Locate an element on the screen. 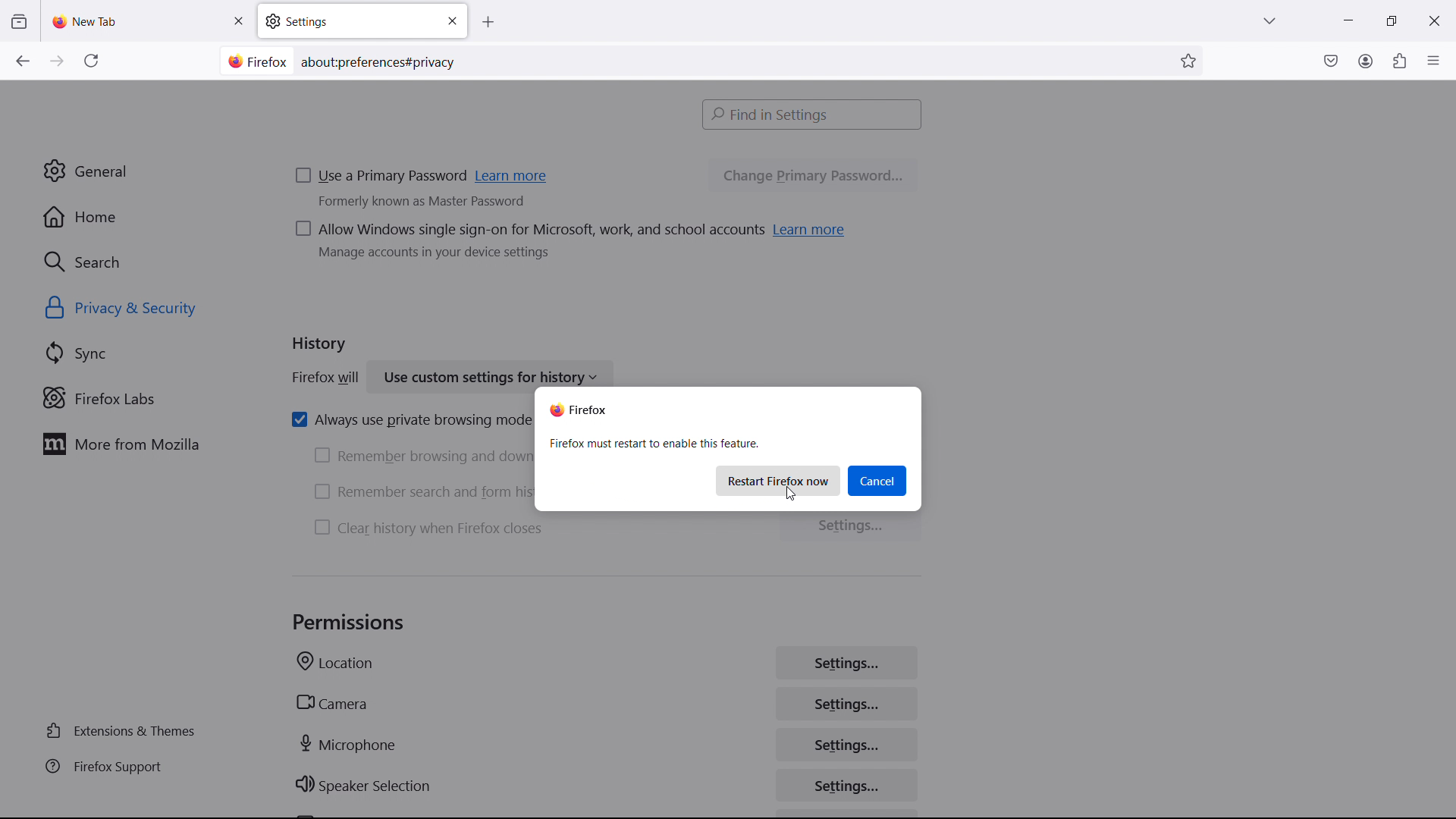  learn more about single sign-in is located at coordinates (811, 229).